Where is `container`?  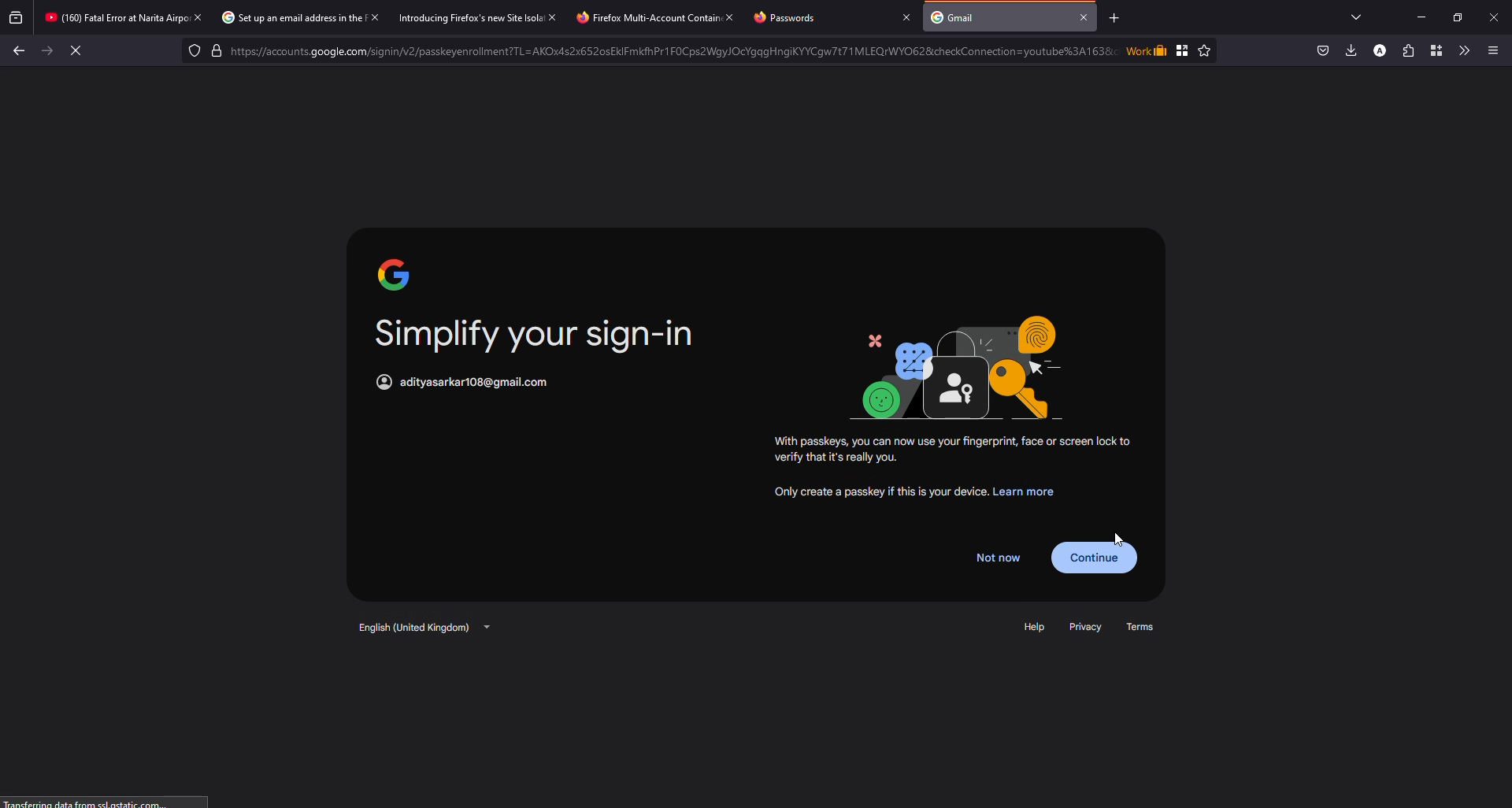 container is located at coordinates (1433, 50).